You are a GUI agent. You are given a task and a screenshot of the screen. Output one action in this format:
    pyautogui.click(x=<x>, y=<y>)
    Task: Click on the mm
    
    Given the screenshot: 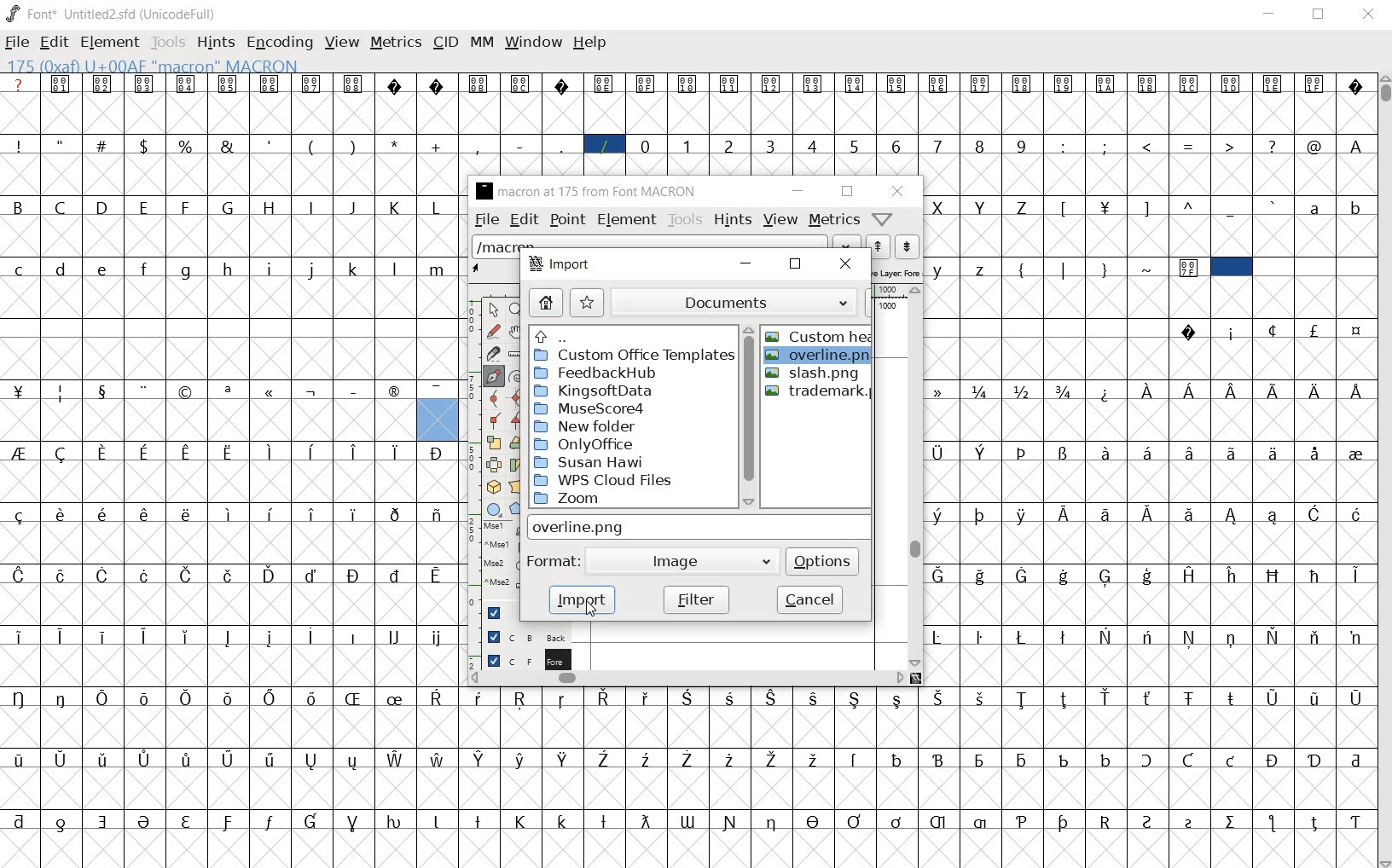 What is the action you would take?
    pyautogui.click(x=482, y=43)
    